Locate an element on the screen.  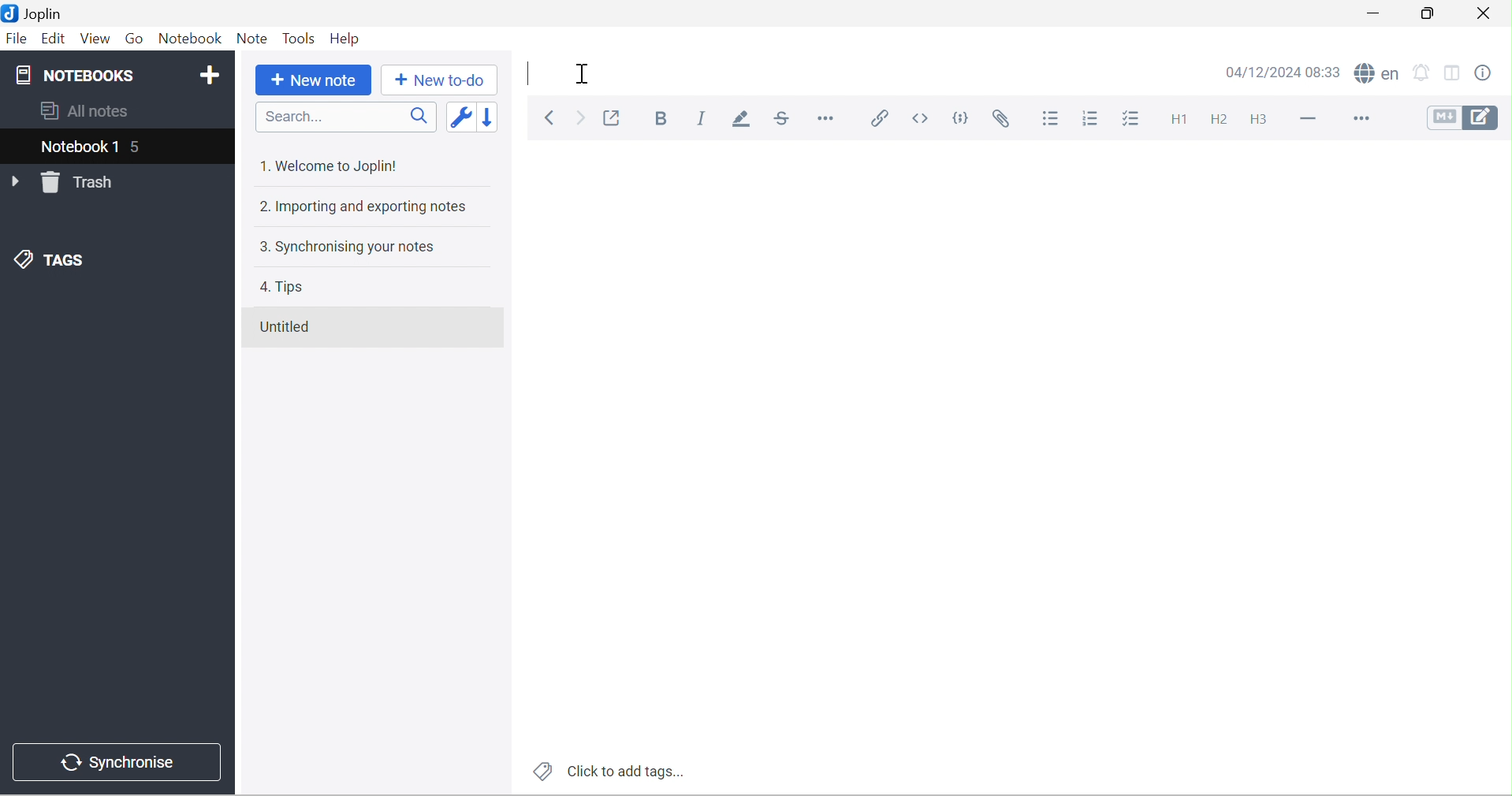
More is located at coordinates (1361, 117).